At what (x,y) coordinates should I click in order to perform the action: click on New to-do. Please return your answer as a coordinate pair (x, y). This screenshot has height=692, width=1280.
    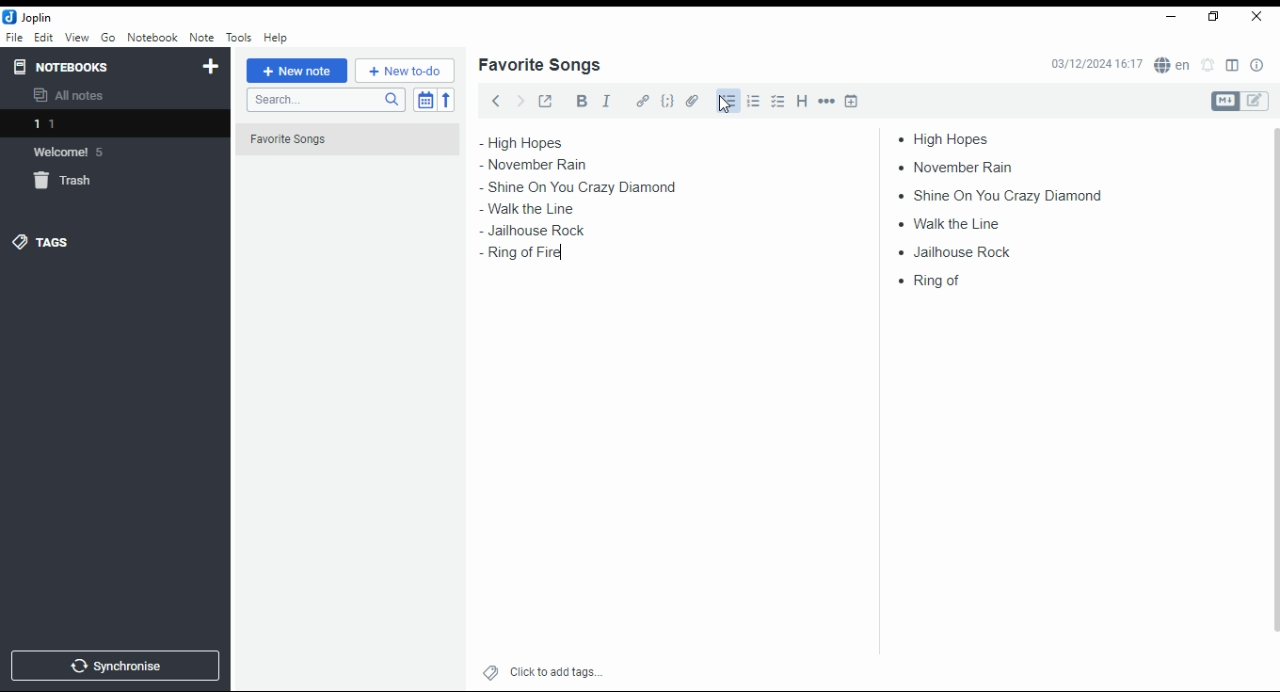
    Looking at the image, I should click on (405, 71).